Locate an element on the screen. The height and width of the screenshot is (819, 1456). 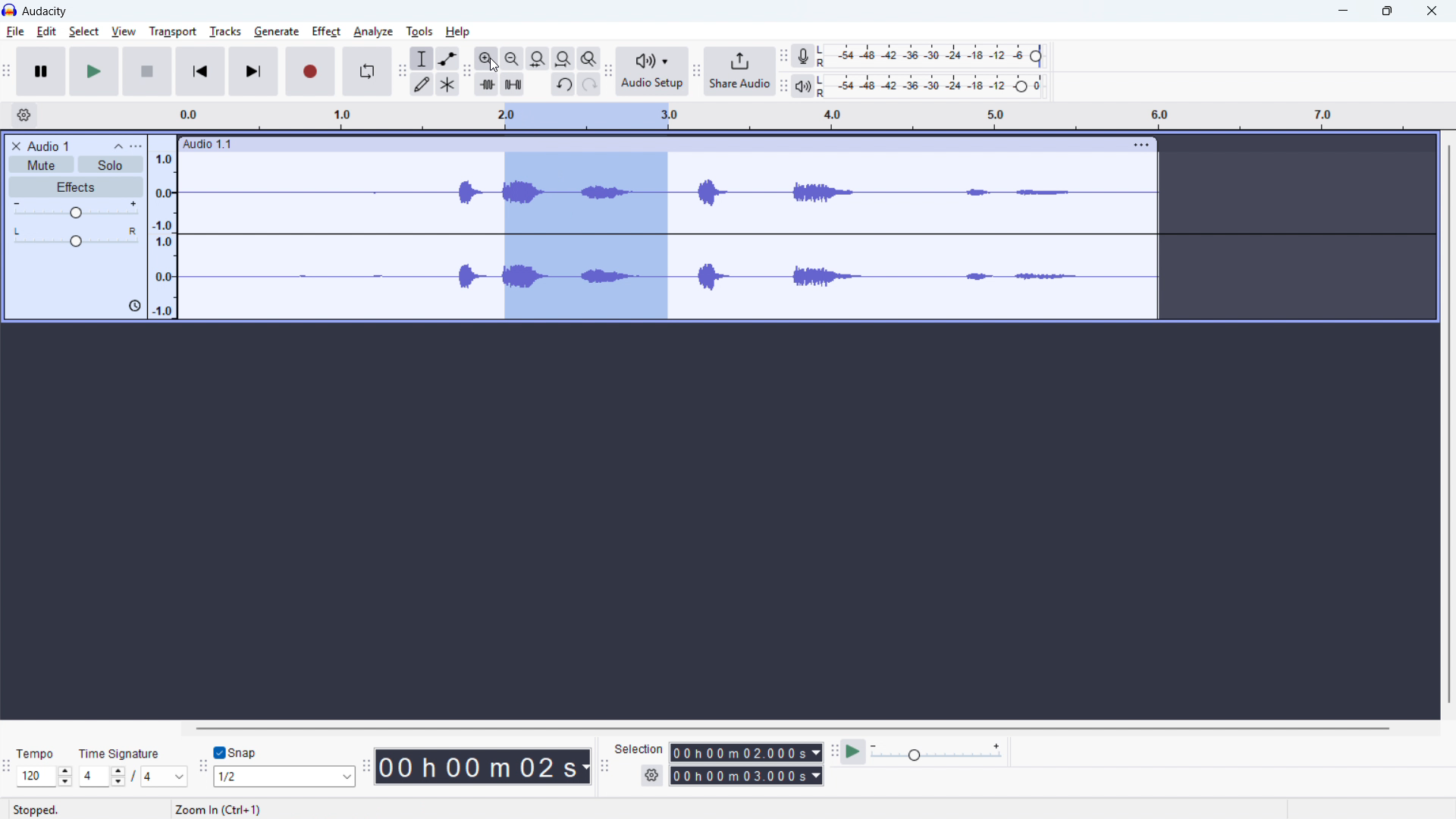
Skip to start is located at coordinates (200, 72).